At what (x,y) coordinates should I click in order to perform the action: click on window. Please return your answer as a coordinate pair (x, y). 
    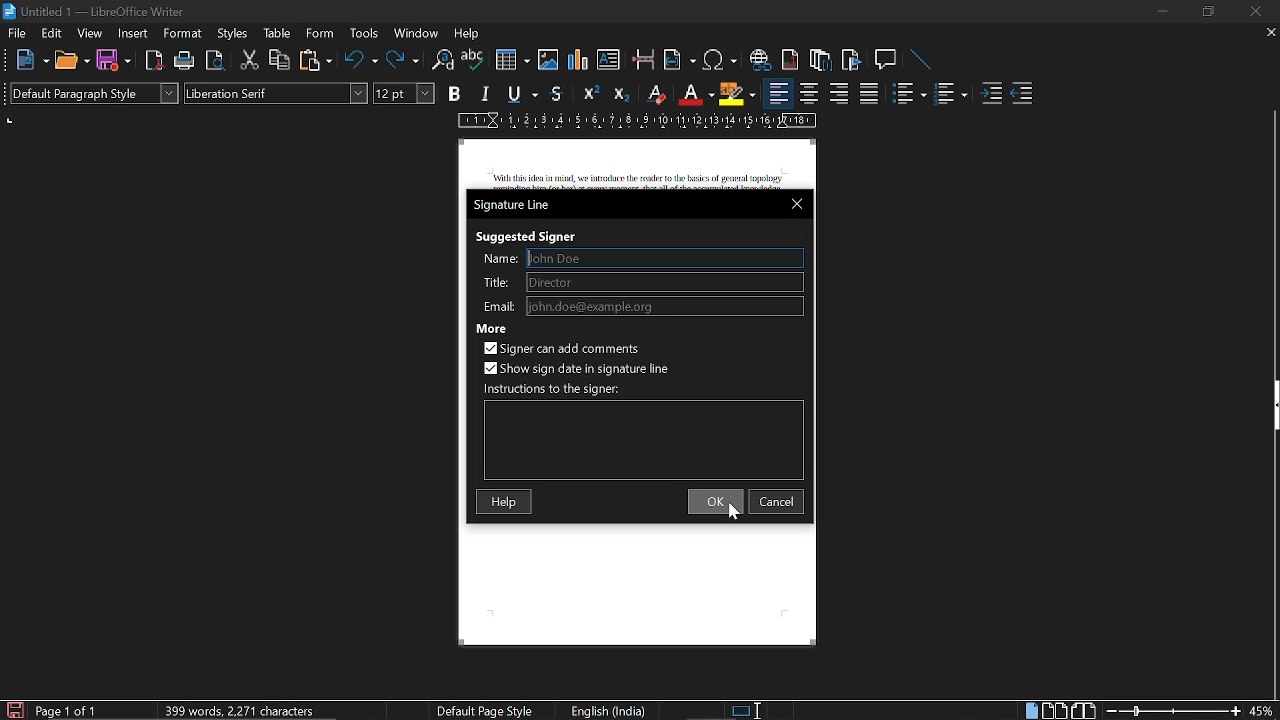
    Looking at the image, I should click on (416, 34).